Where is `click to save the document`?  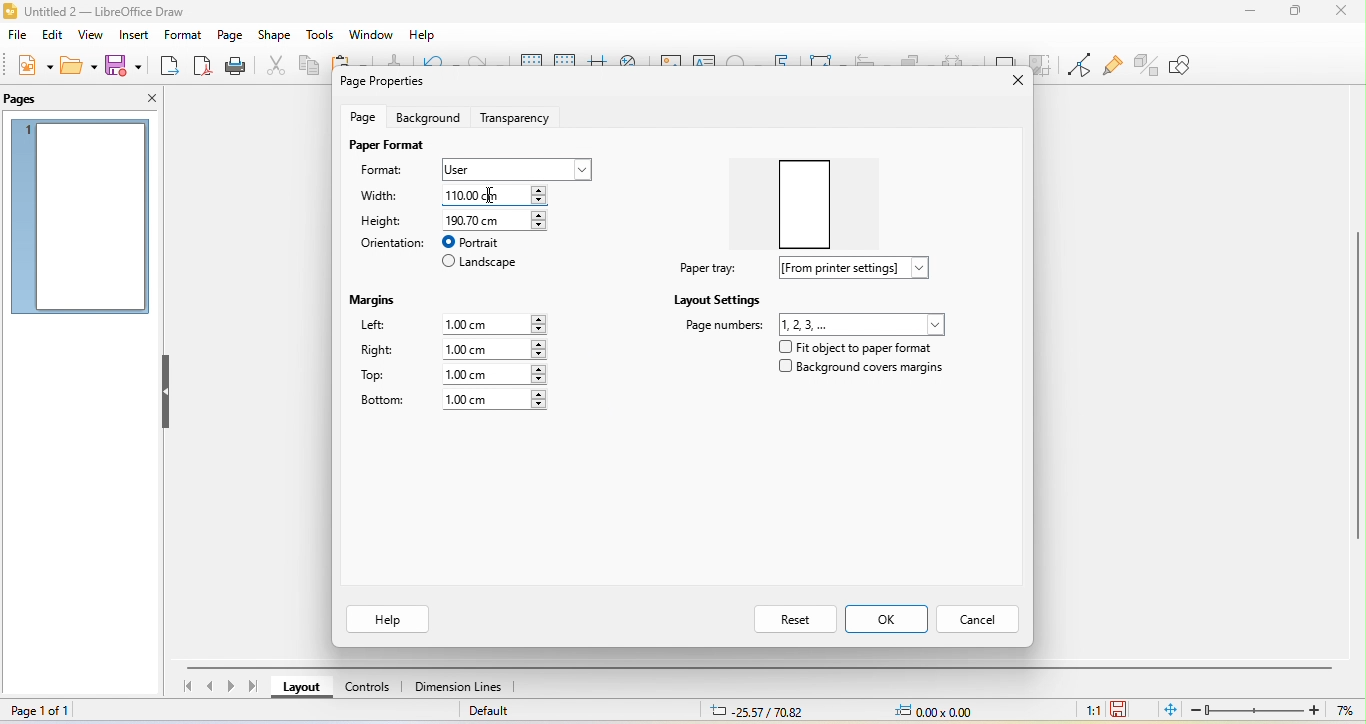 click to save the document is located at coordinates (1120, 708).